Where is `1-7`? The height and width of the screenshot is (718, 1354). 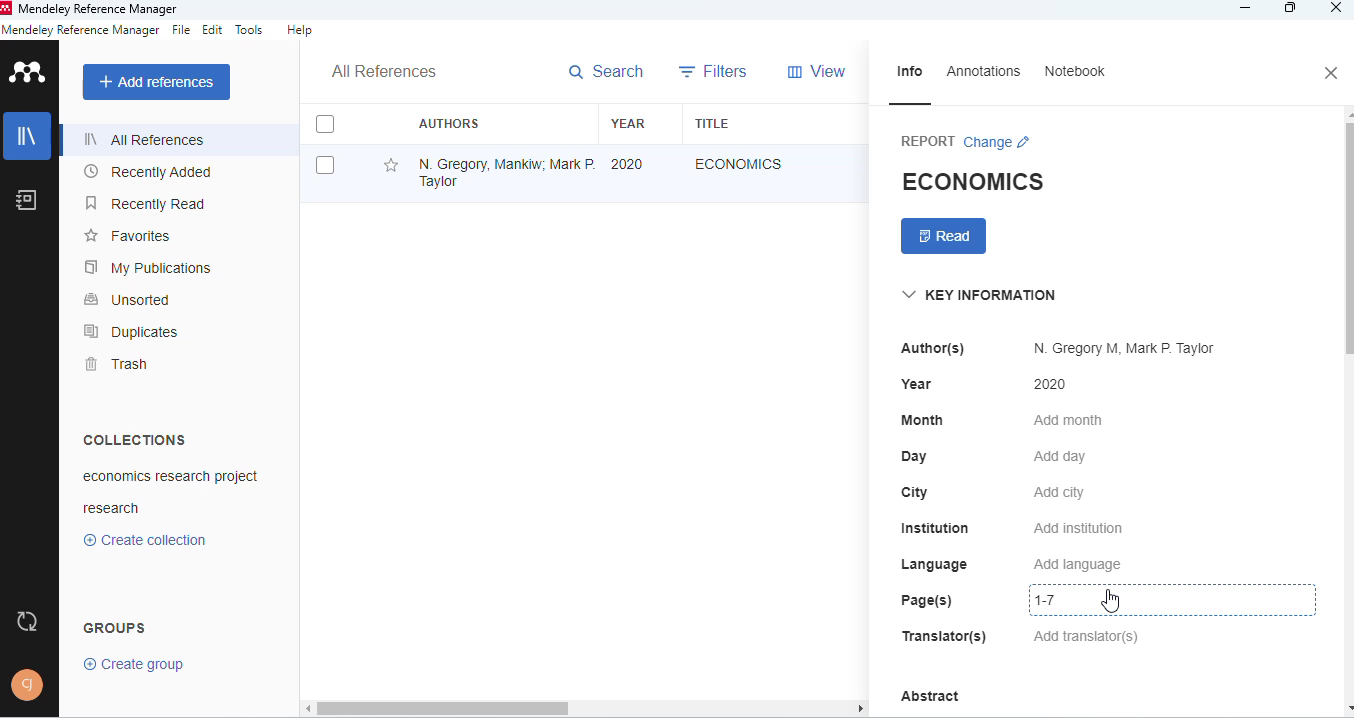 1-7 is located at coordinates (1062, 600).